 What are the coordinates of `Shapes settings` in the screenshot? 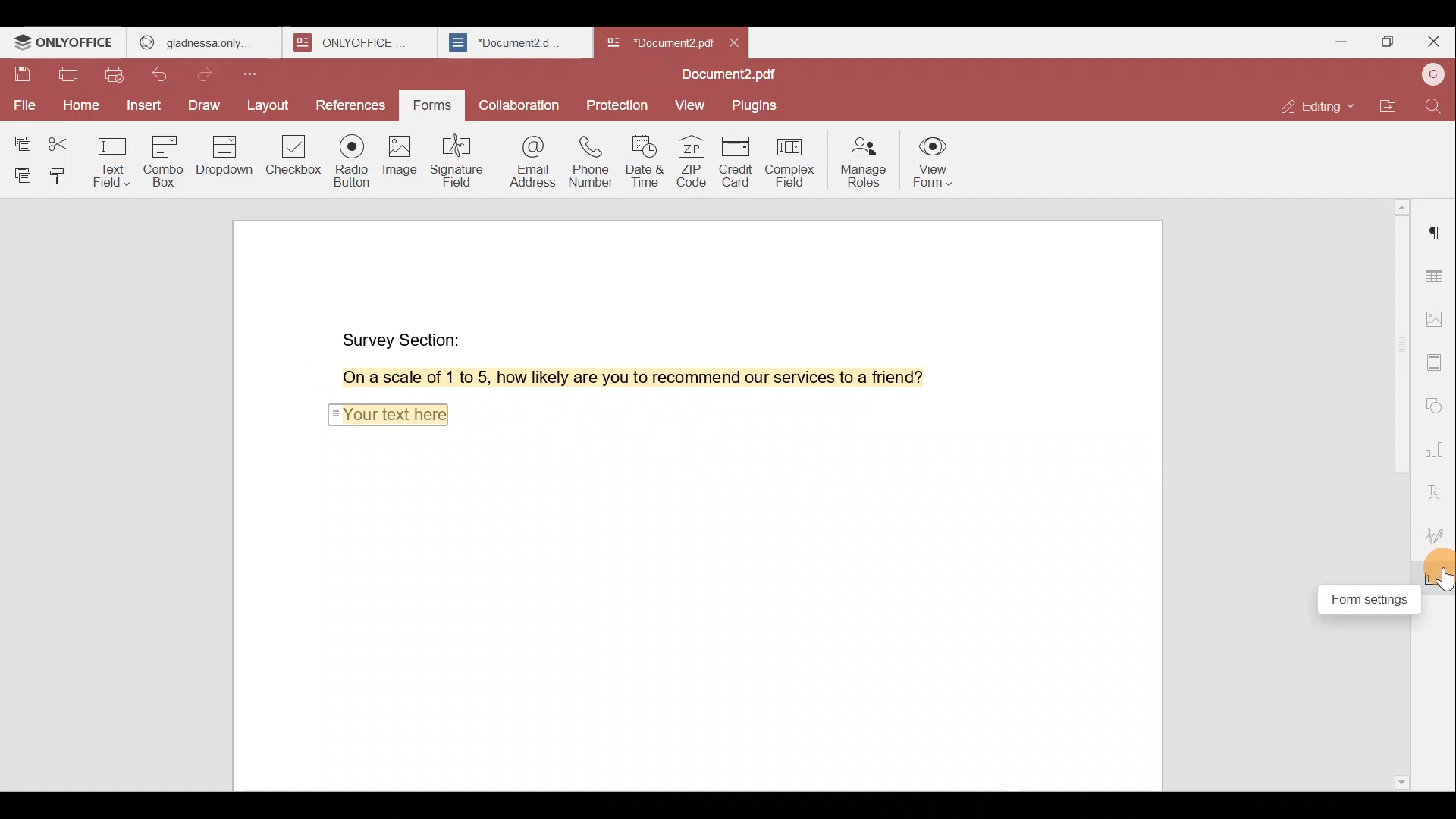 It's located at (1436, 402).